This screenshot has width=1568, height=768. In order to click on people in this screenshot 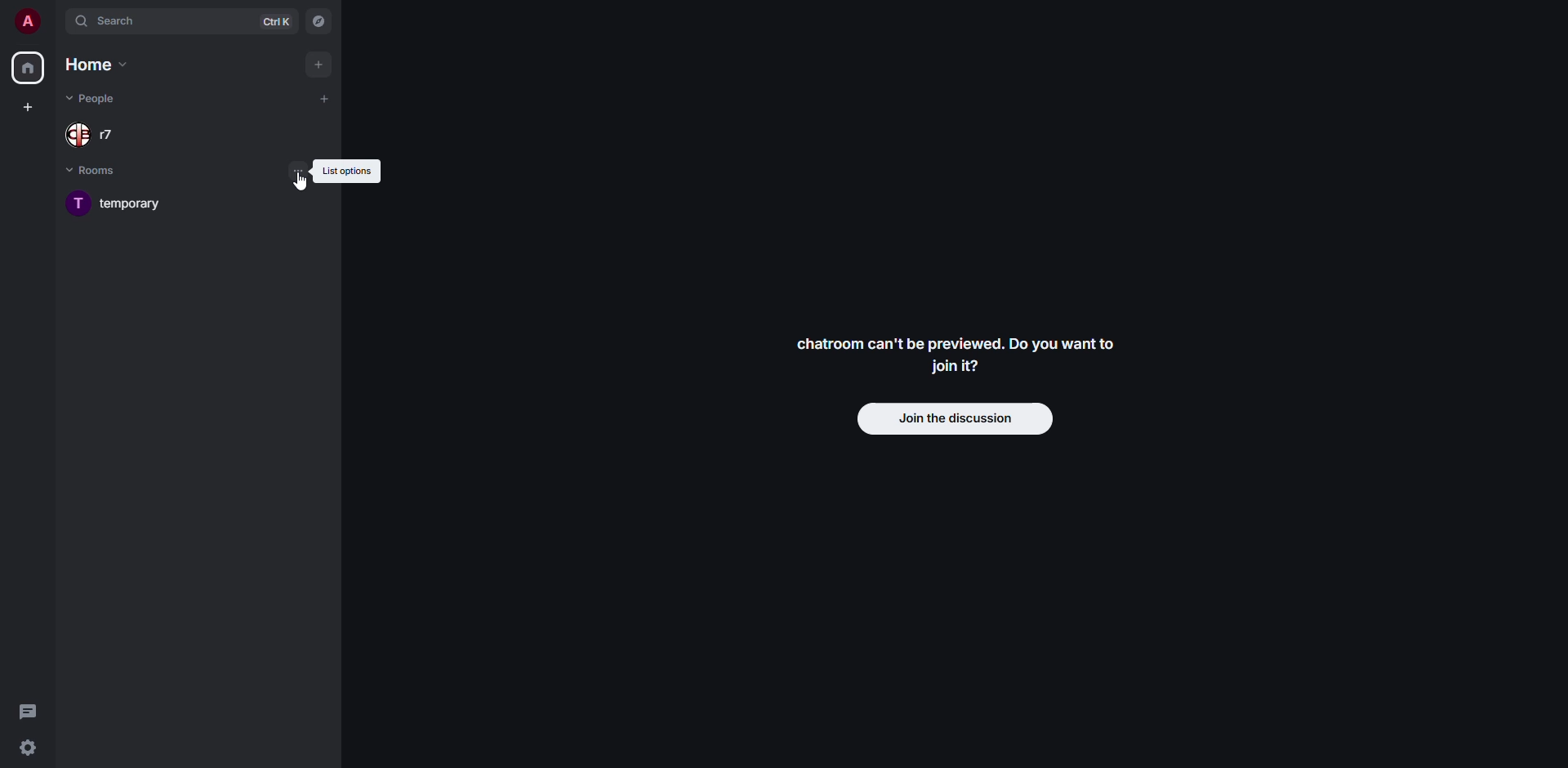, I will do `click(91, 99)`.